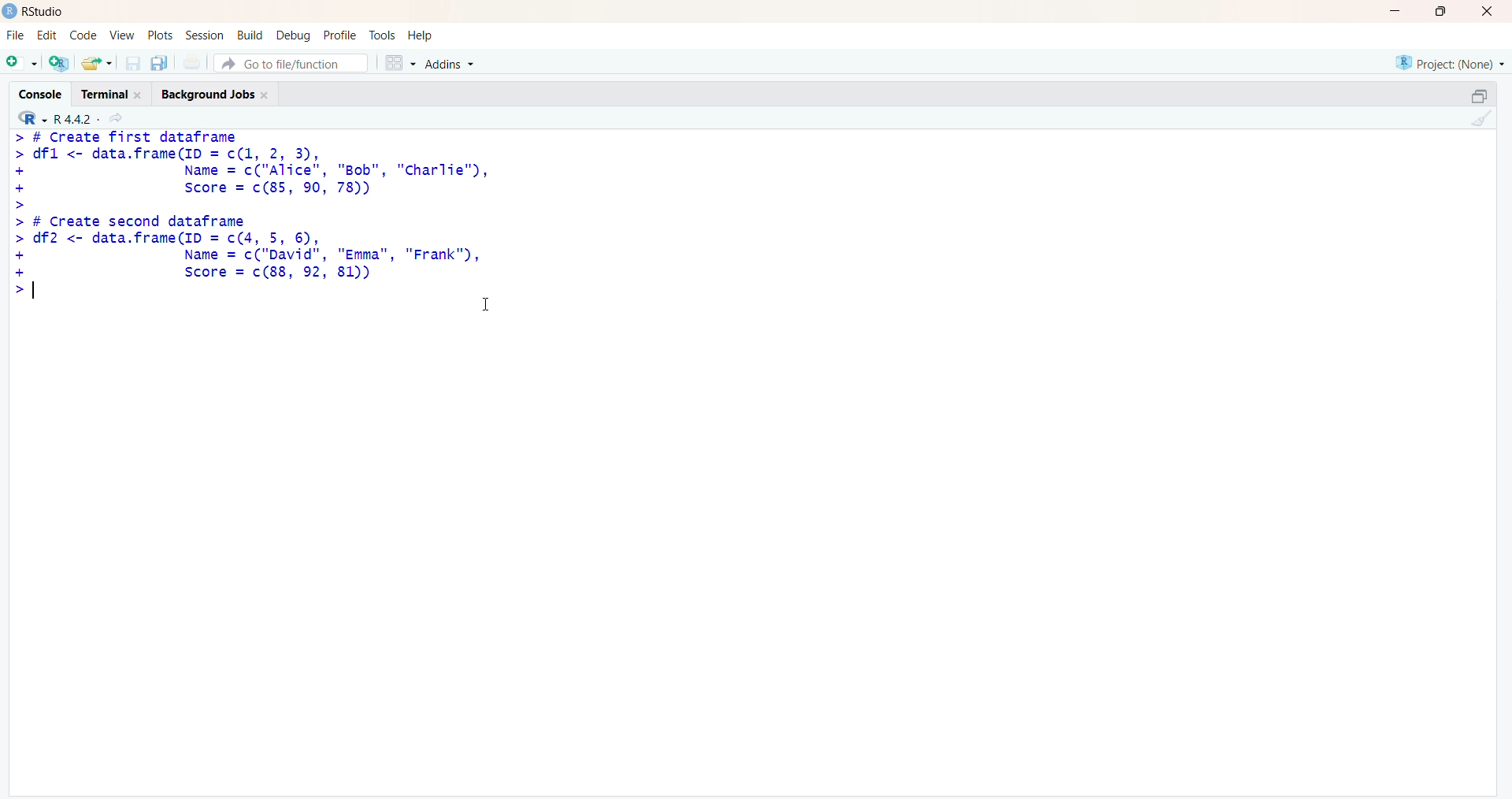  What do you see at coordinates (291, 64) in the screenshot?
I see ` Go to file/function` at bounding box center [291, 64].